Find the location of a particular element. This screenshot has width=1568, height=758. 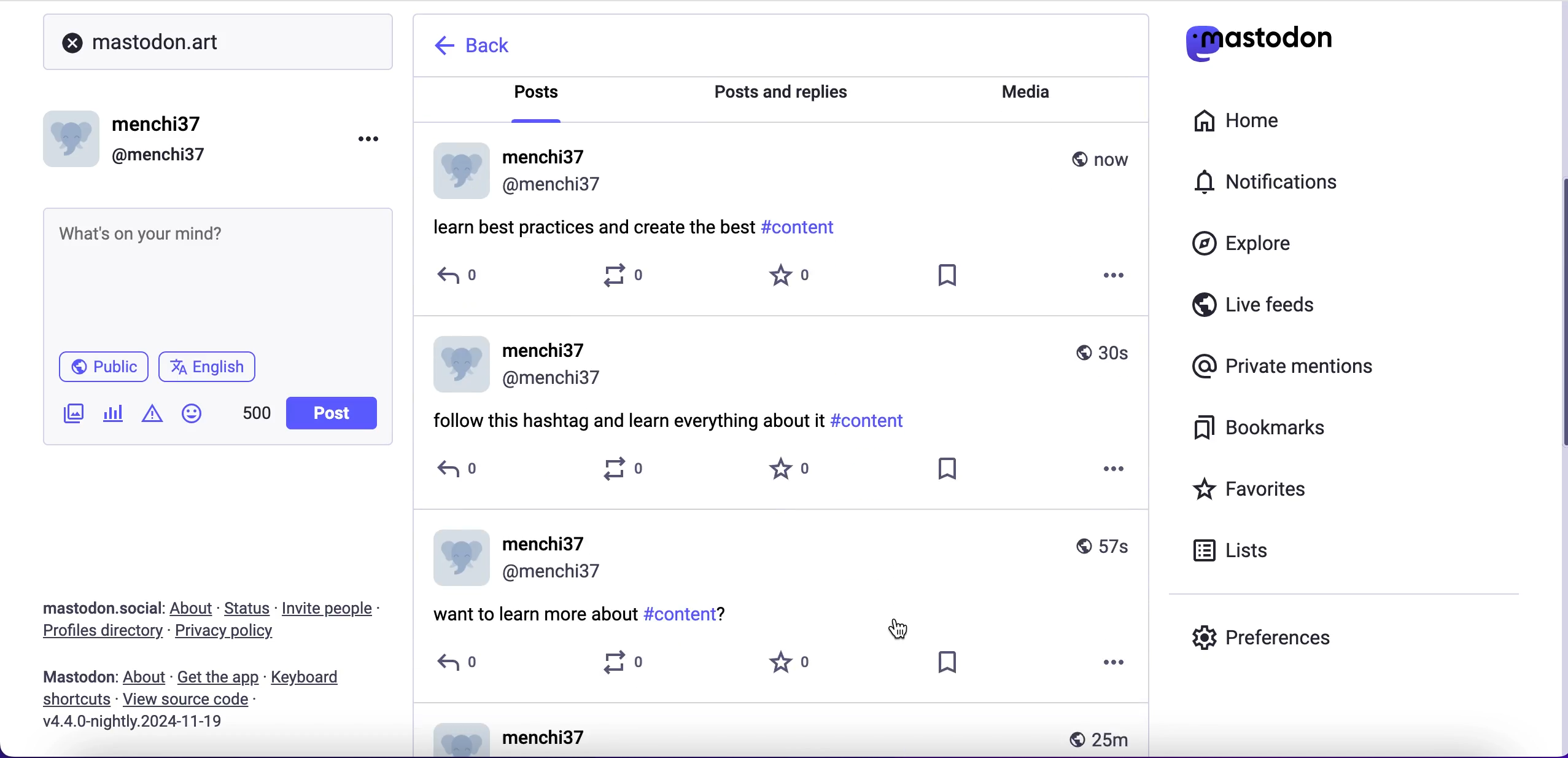

explore is located at coordinates (1246, 249).